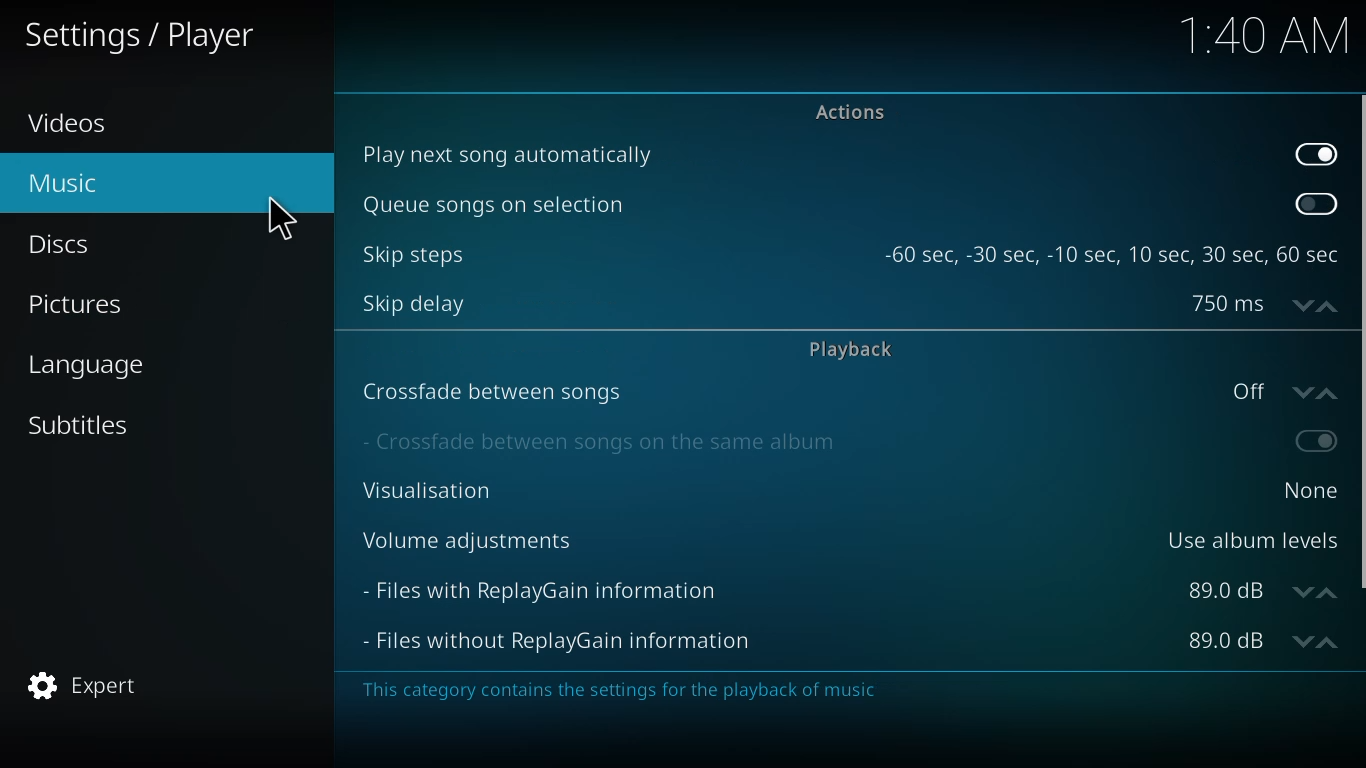  I want to click on enable, so click(1312, 205).